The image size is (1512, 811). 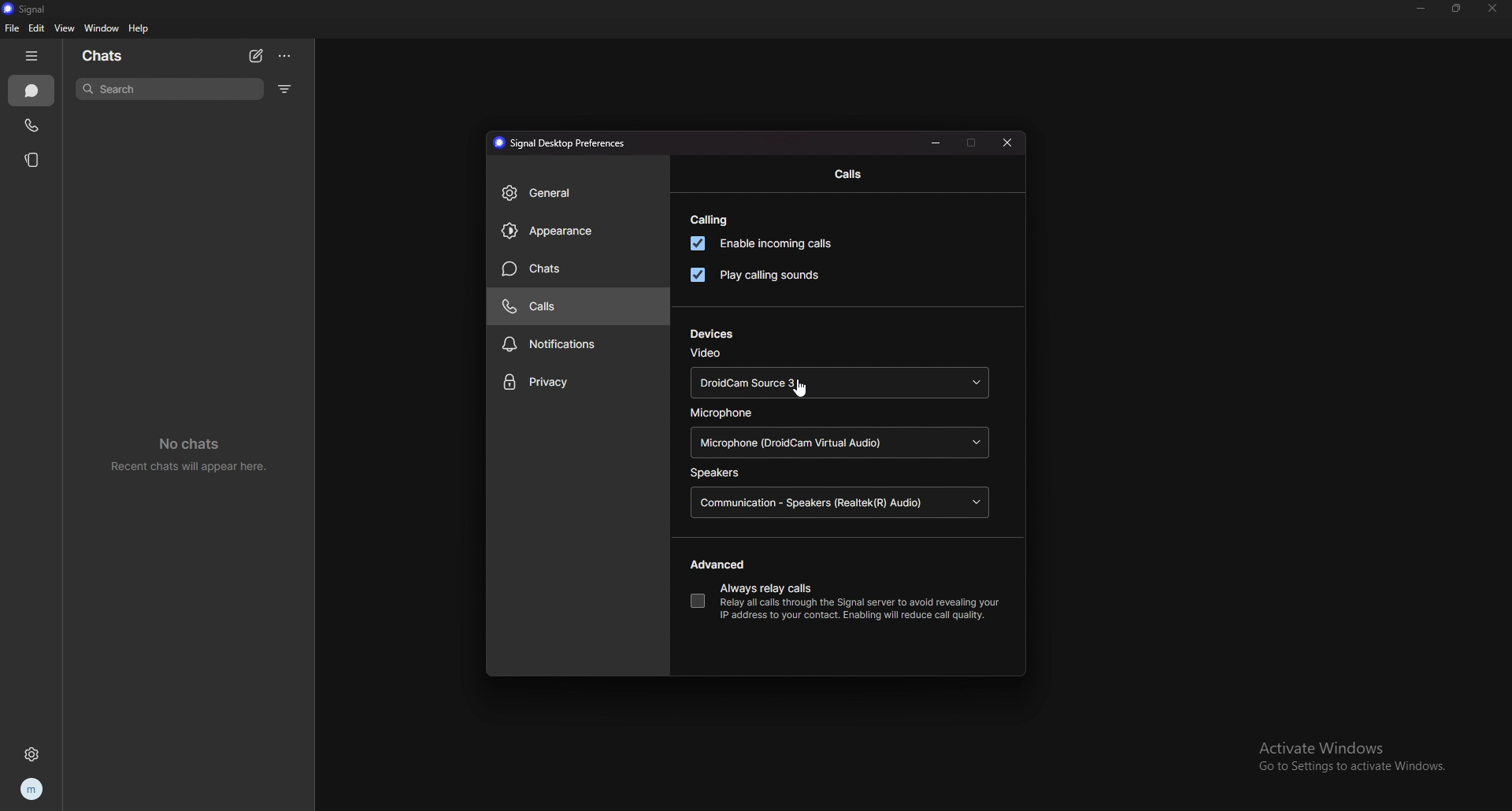 I want to click on video source, so click(x=841, y=384).